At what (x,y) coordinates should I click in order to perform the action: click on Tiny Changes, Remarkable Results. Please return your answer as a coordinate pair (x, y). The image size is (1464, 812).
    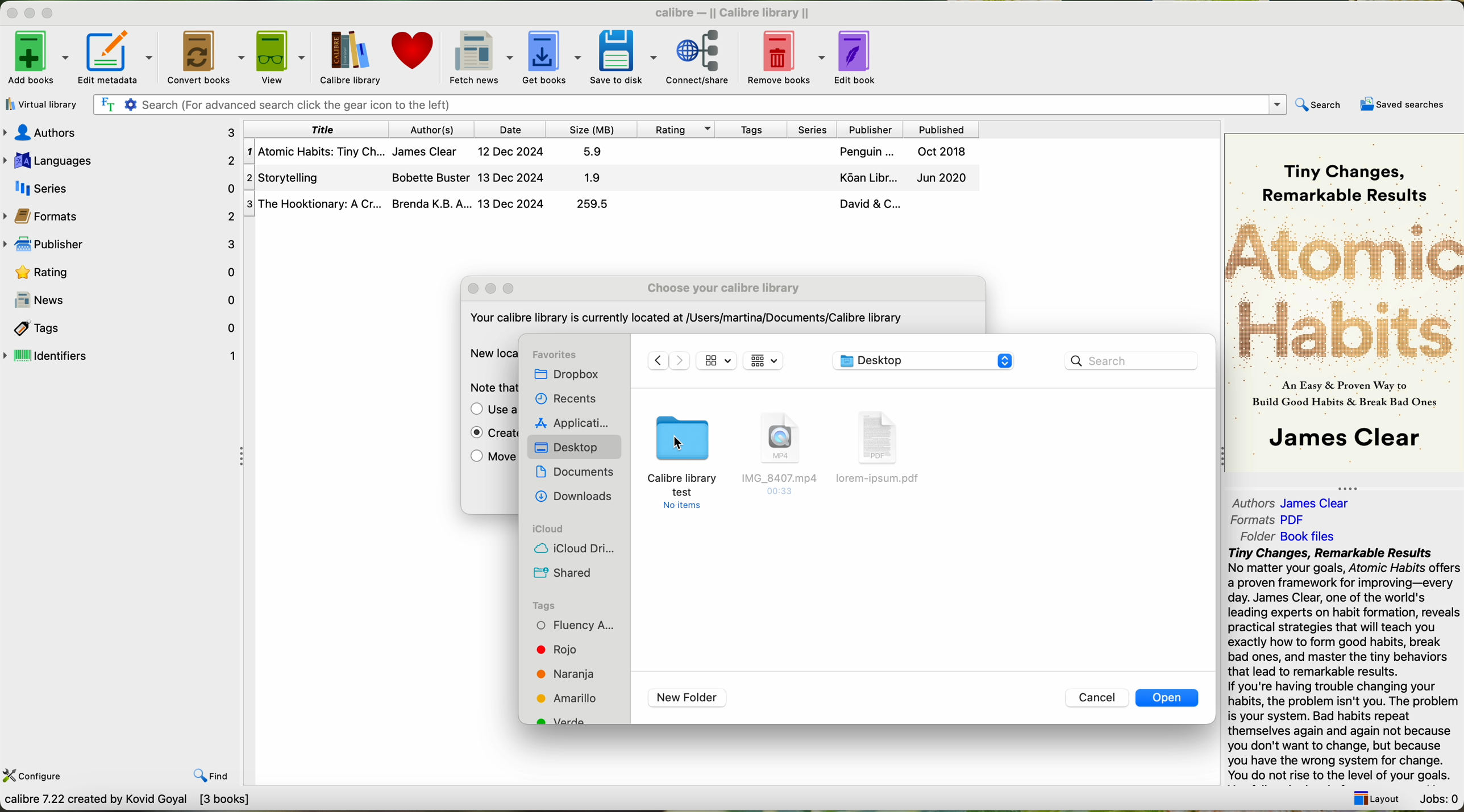
    Looking at the image, I should click on (1344, 170).